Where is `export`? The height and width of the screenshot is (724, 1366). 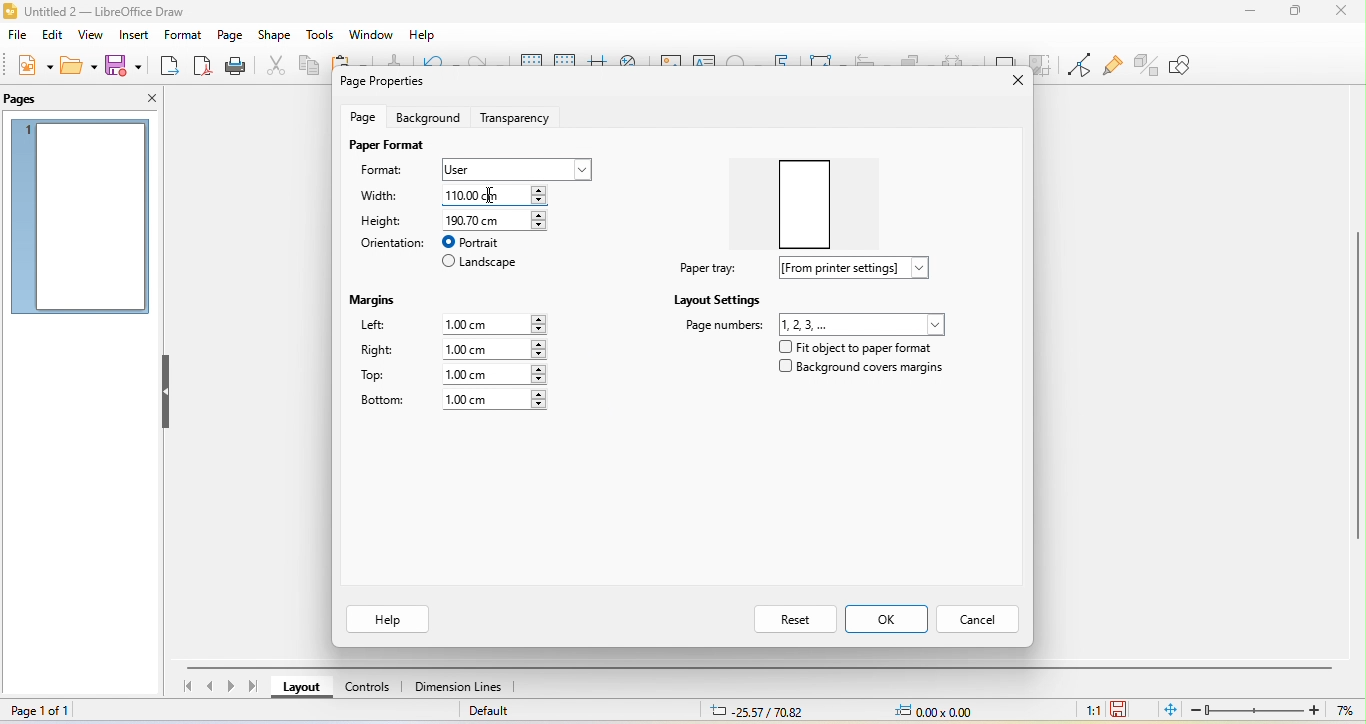 export is located at coordinates (170, 67).